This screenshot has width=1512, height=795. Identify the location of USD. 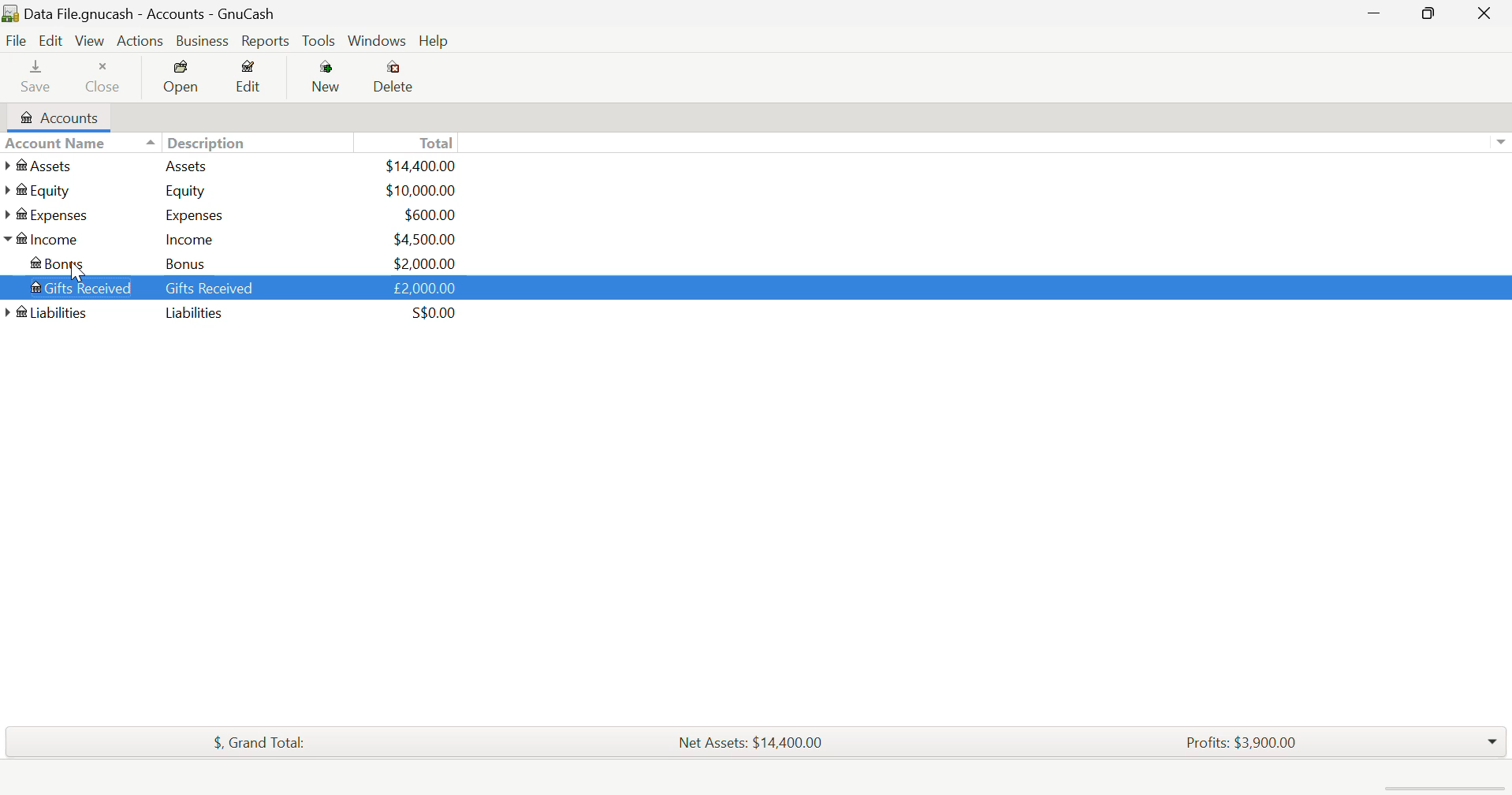
(425, 214).